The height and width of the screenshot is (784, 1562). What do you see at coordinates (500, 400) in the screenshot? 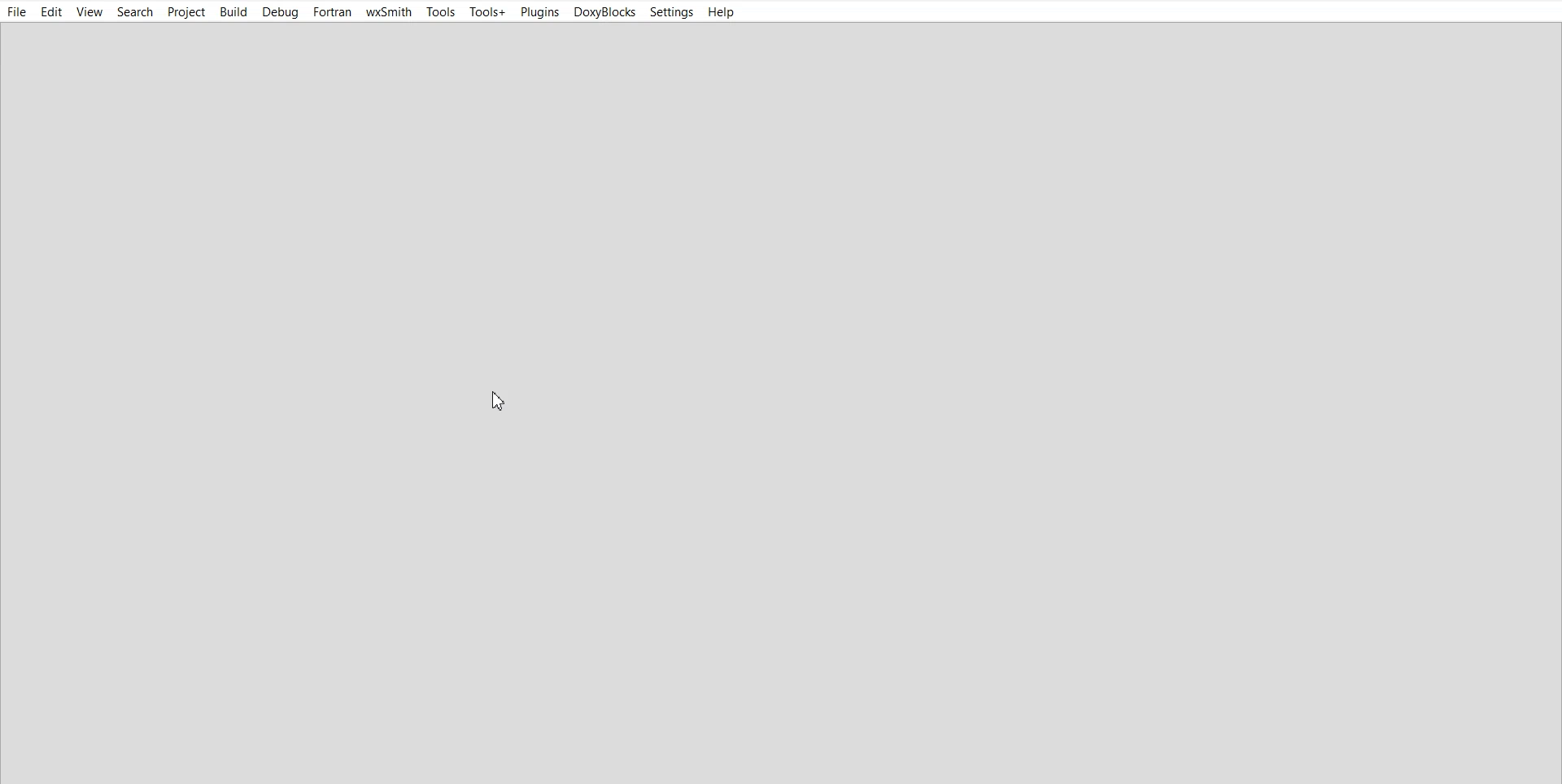
I see `Cursor` at bounding box center [500, 400].